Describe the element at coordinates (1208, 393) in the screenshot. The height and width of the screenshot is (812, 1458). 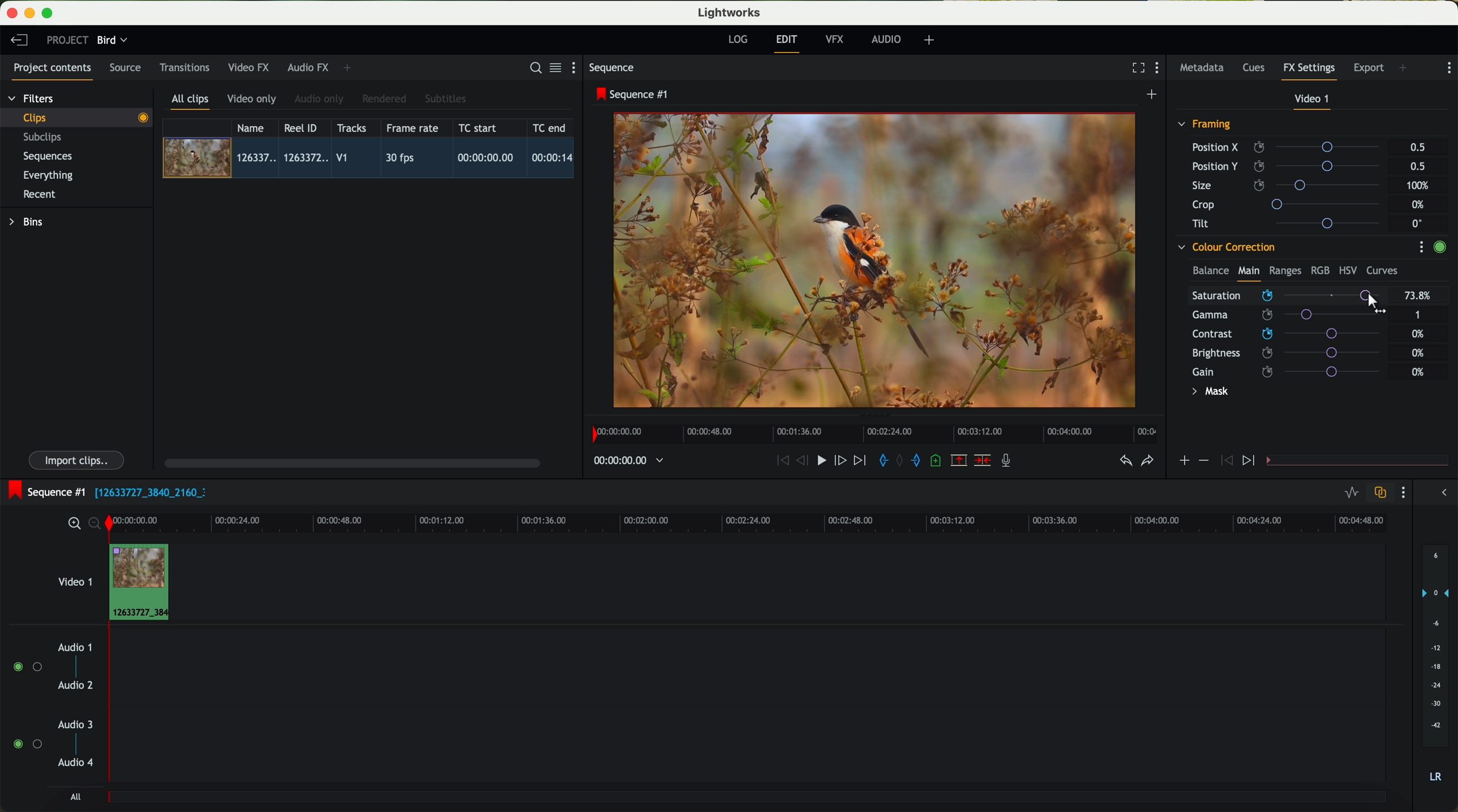
I see `mask` at that location.